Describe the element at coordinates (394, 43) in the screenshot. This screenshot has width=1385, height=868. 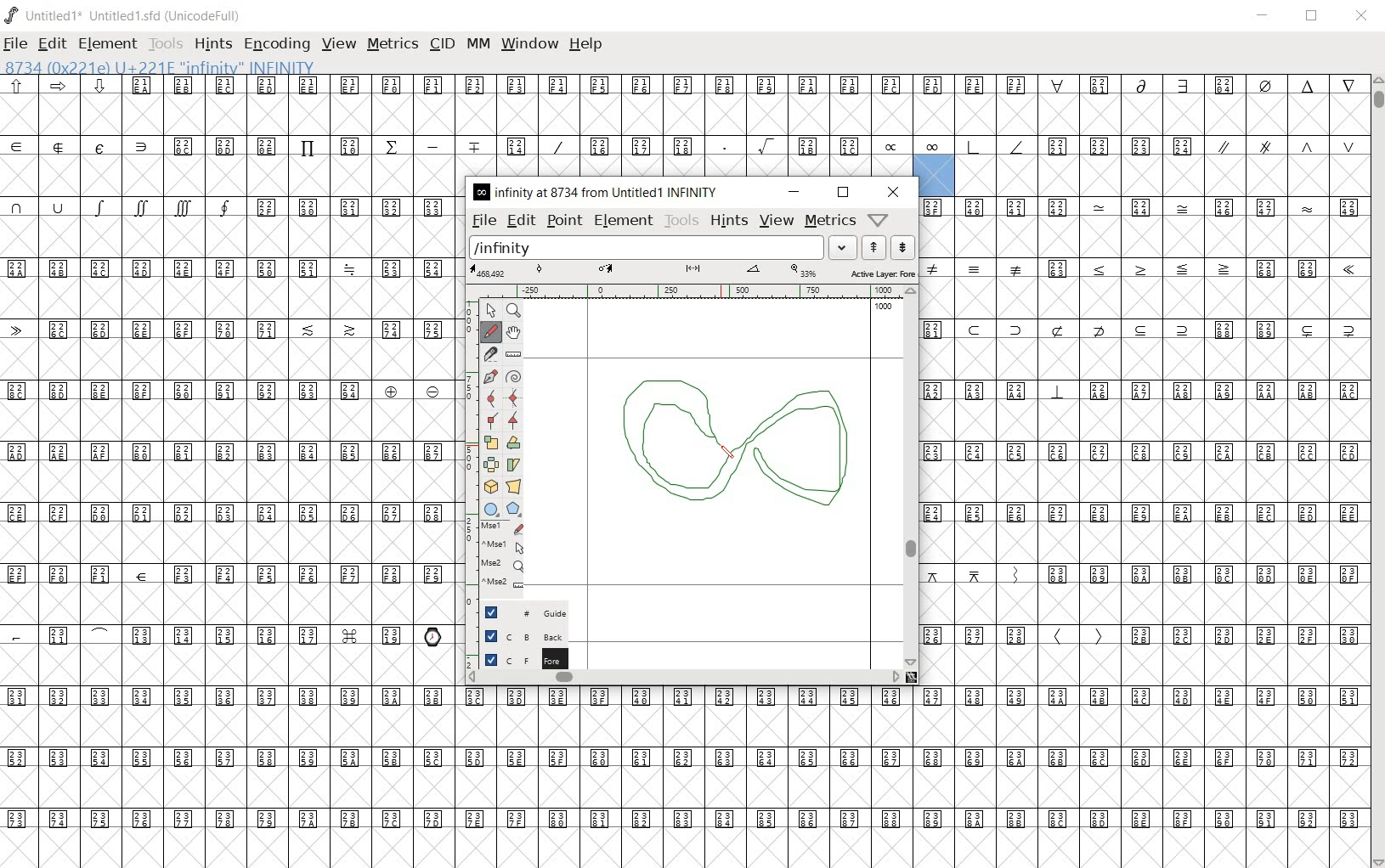
I see `metrics` at that location.